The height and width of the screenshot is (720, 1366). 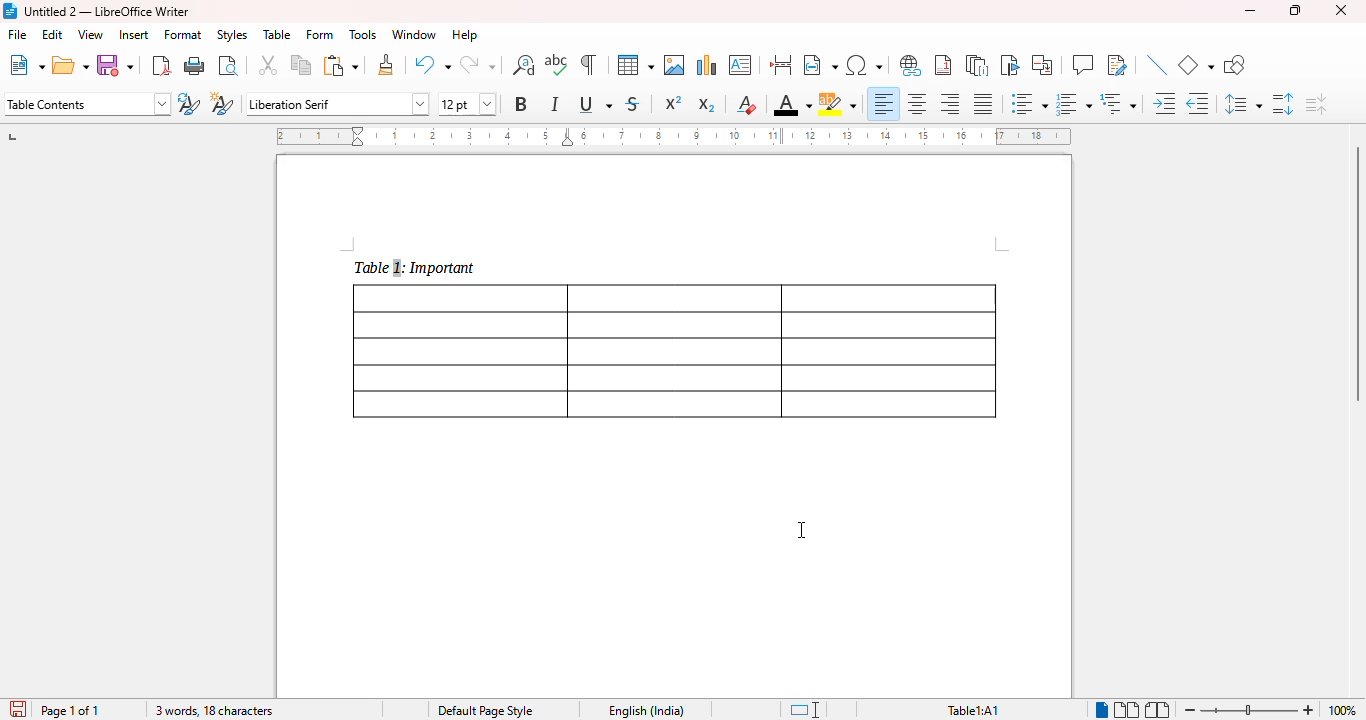 What do you see at coordinates (1354, 274) in the screenshot?
I see `vertical scroll bar` at bounding box center [1354, 274].